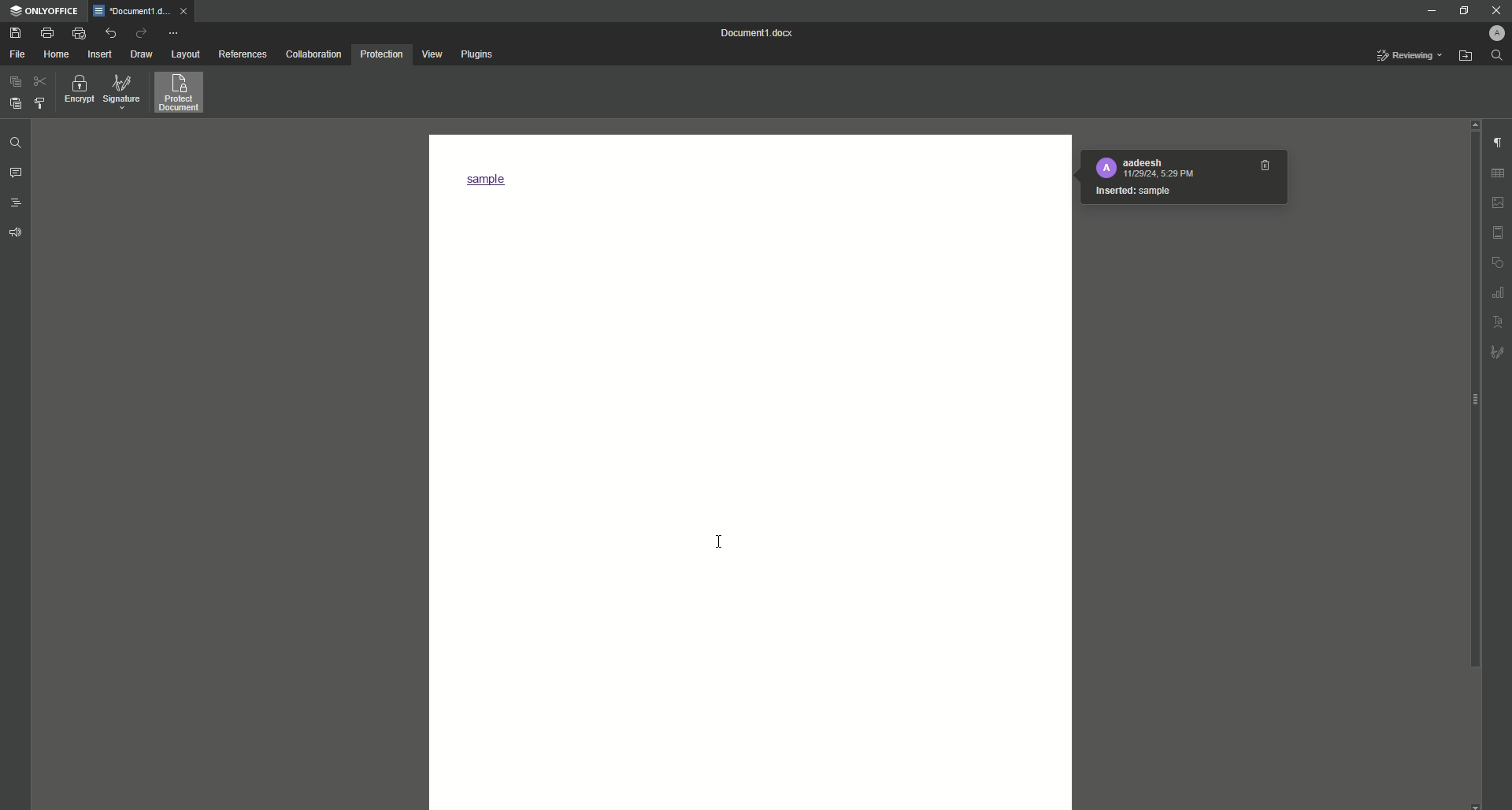  I want to click on close, so click(183, 11).